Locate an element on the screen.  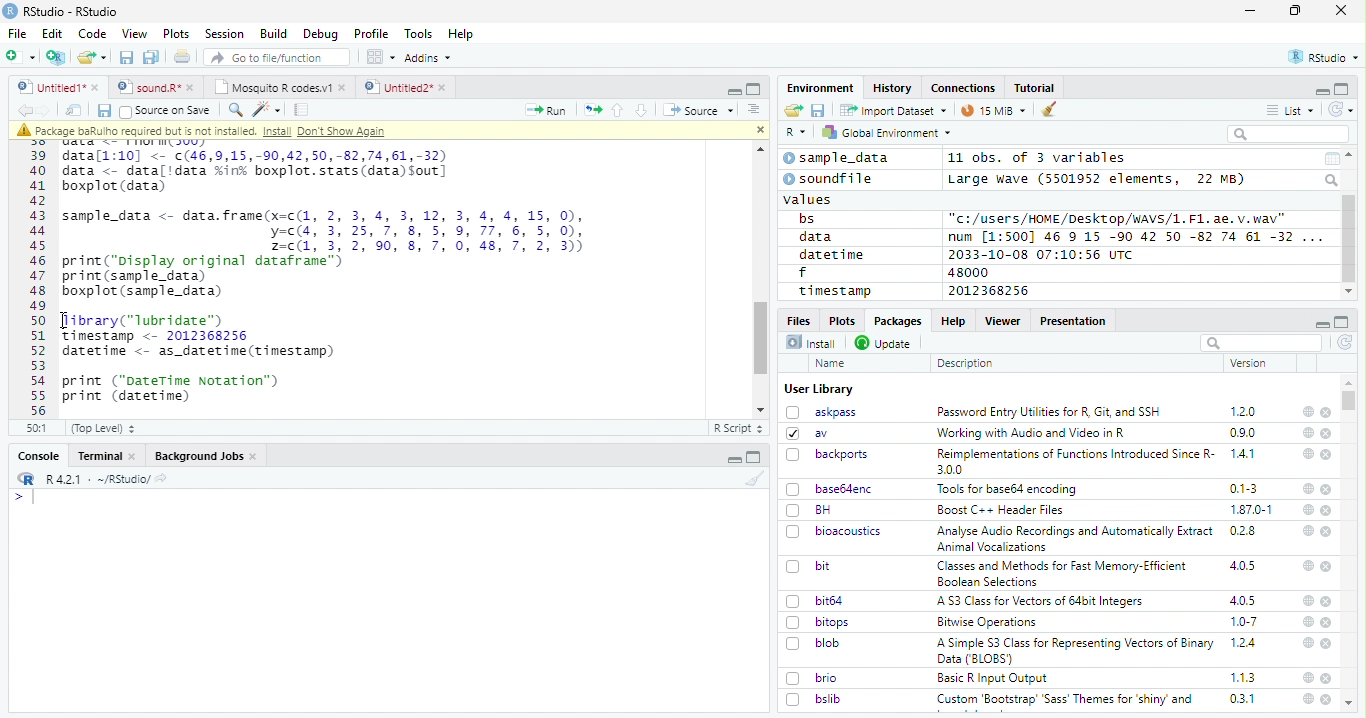
Version is located at coordinates (1252, 363).